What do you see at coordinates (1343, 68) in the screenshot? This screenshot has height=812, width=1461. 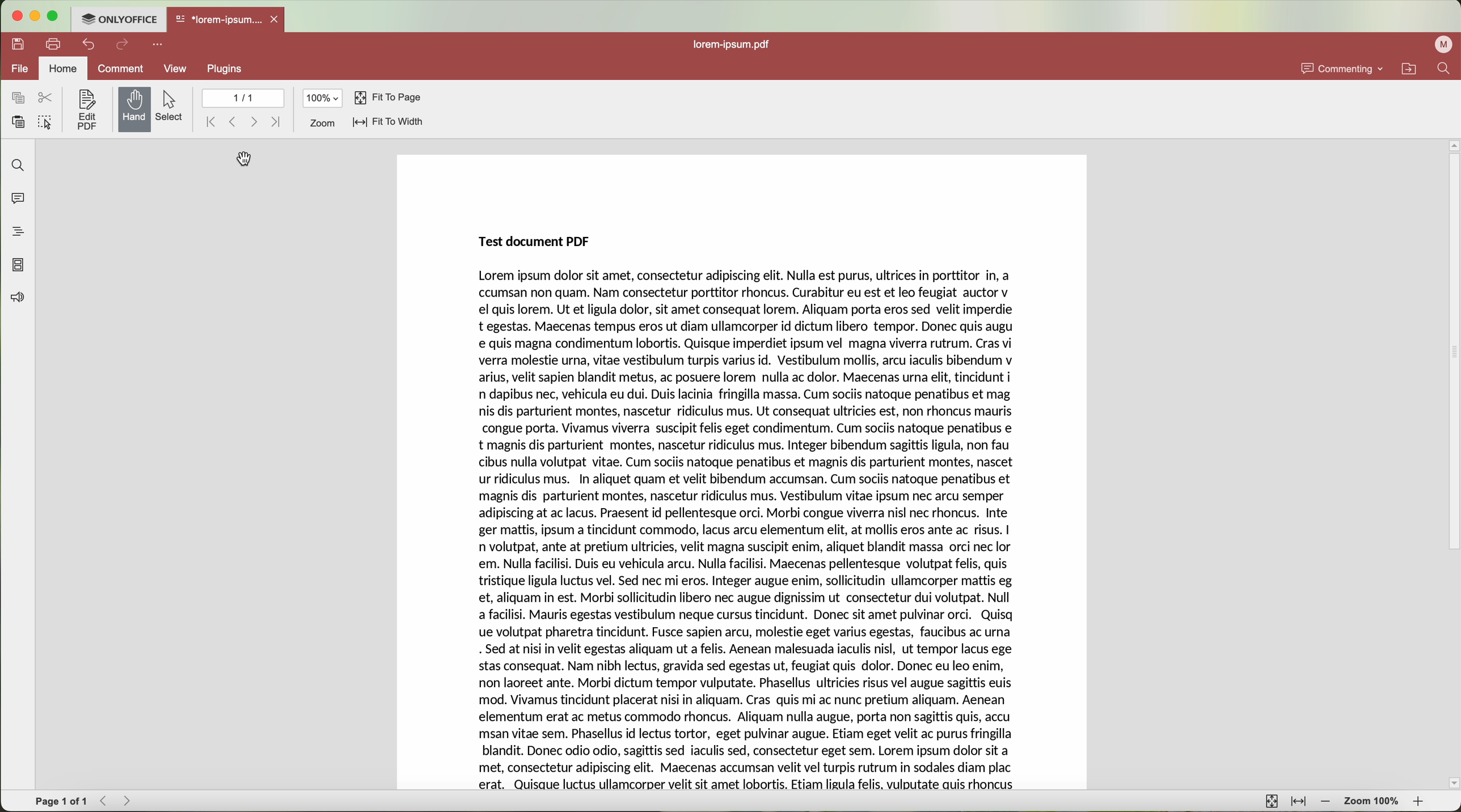 I see `commenting` at bounding box center [1343, 68].